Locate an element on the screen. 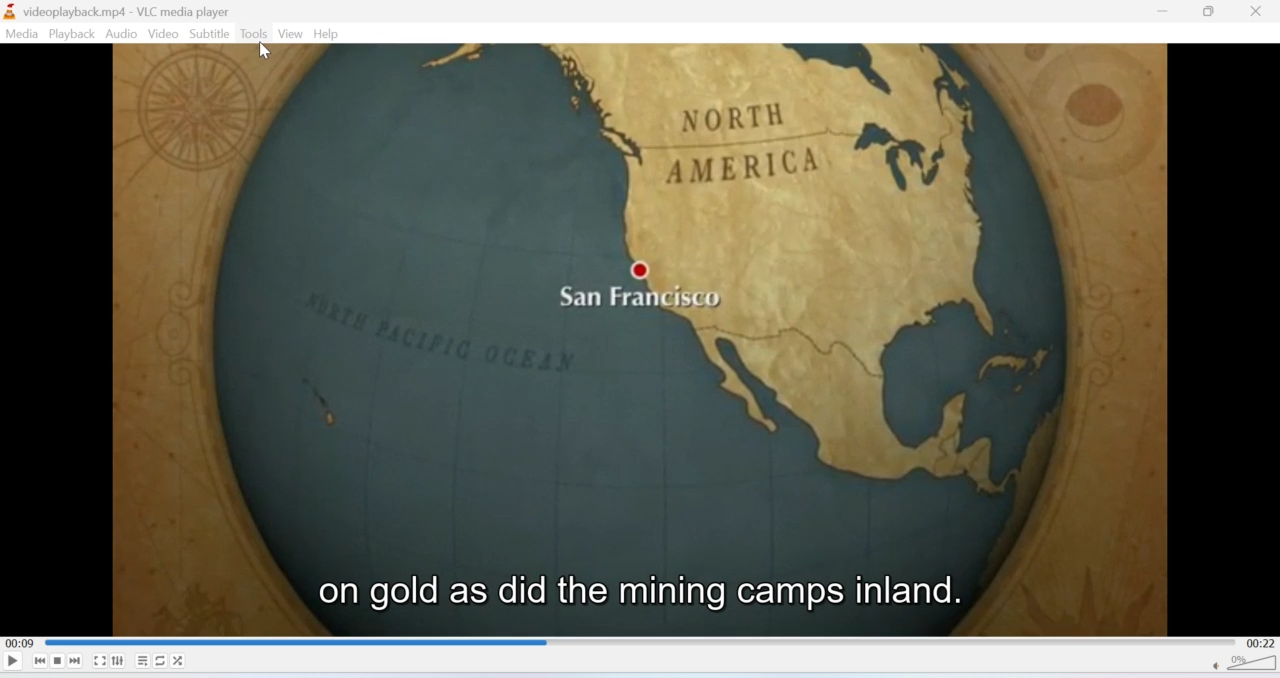 The image size is (1280, 678). Close is located at coordinates (1257, 12).